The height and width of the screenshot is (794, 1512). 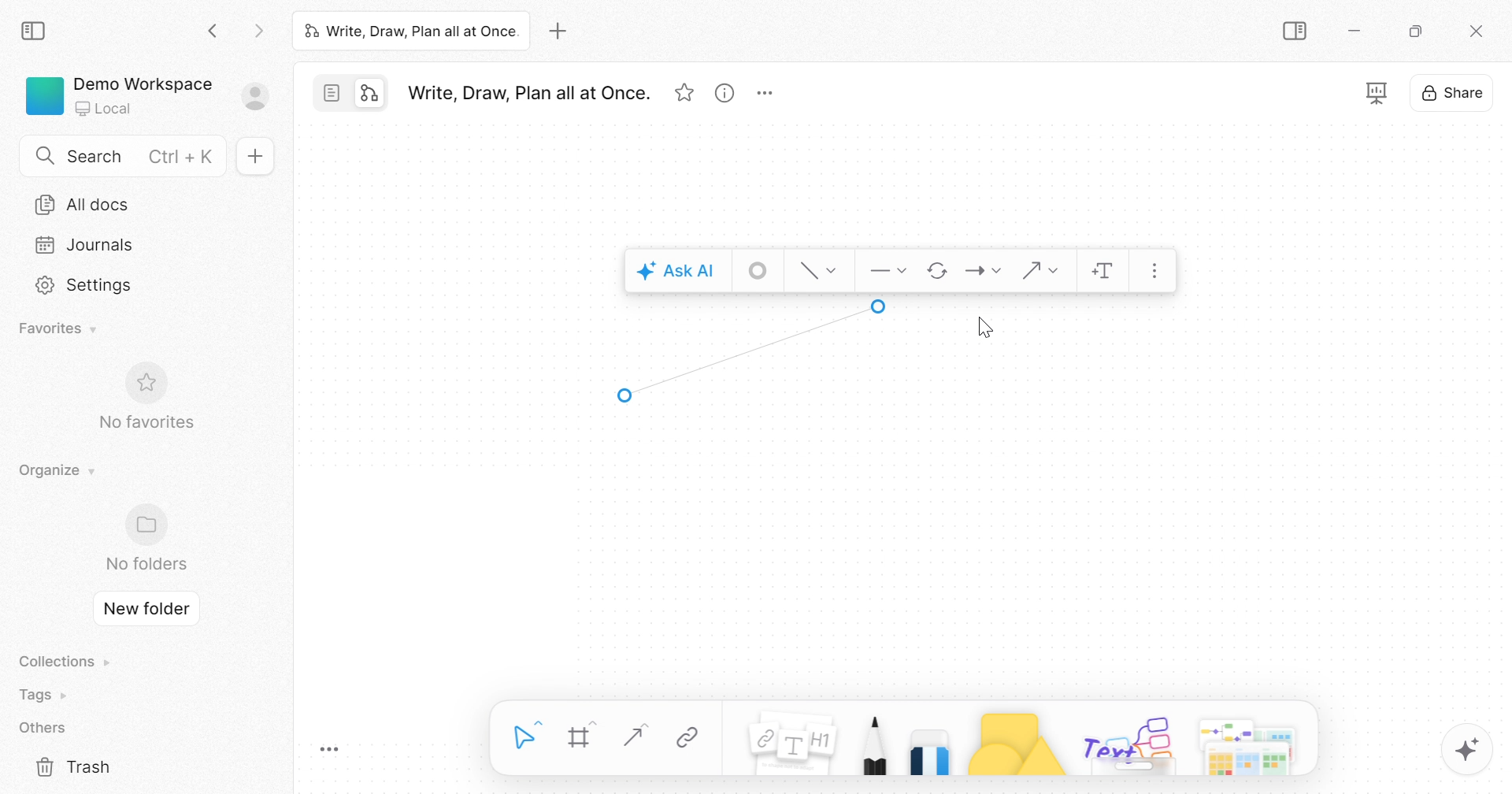 I want to click on Frame, so click(x=581, y=737).